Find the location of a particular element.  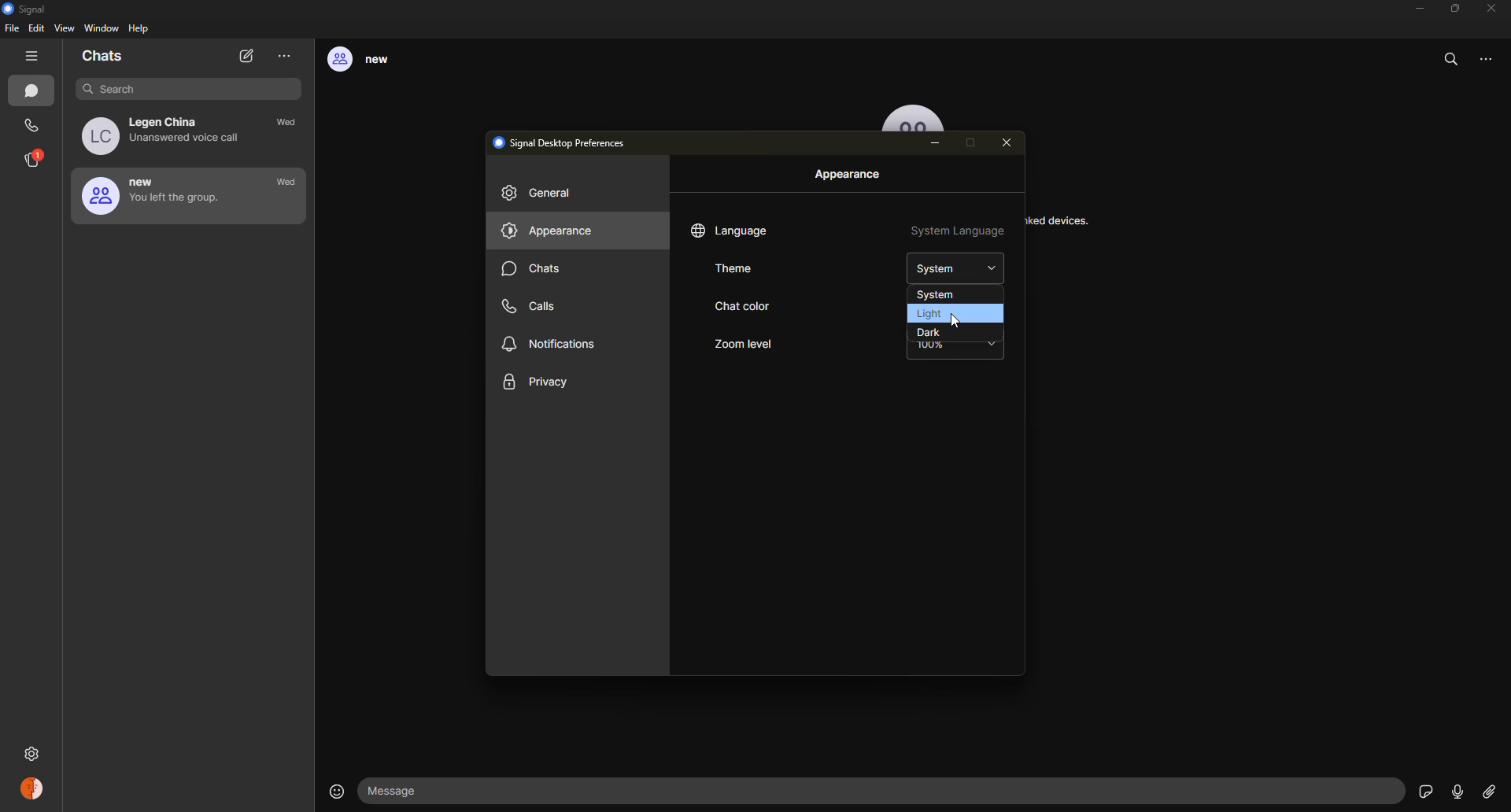

stickers is located at coordinates (1424, 790).